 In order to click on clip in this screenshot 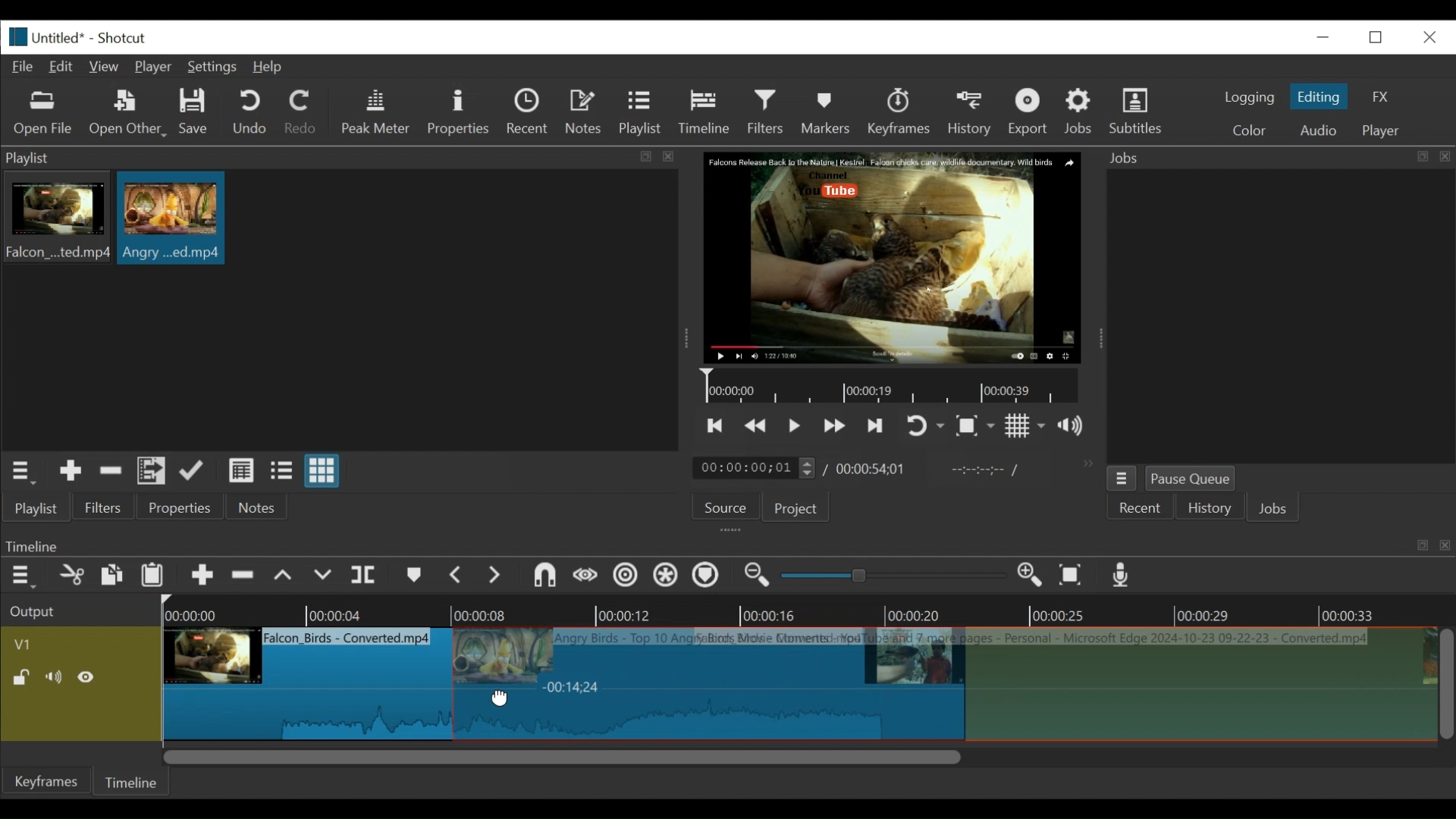, I will do `click(171, 218)`.